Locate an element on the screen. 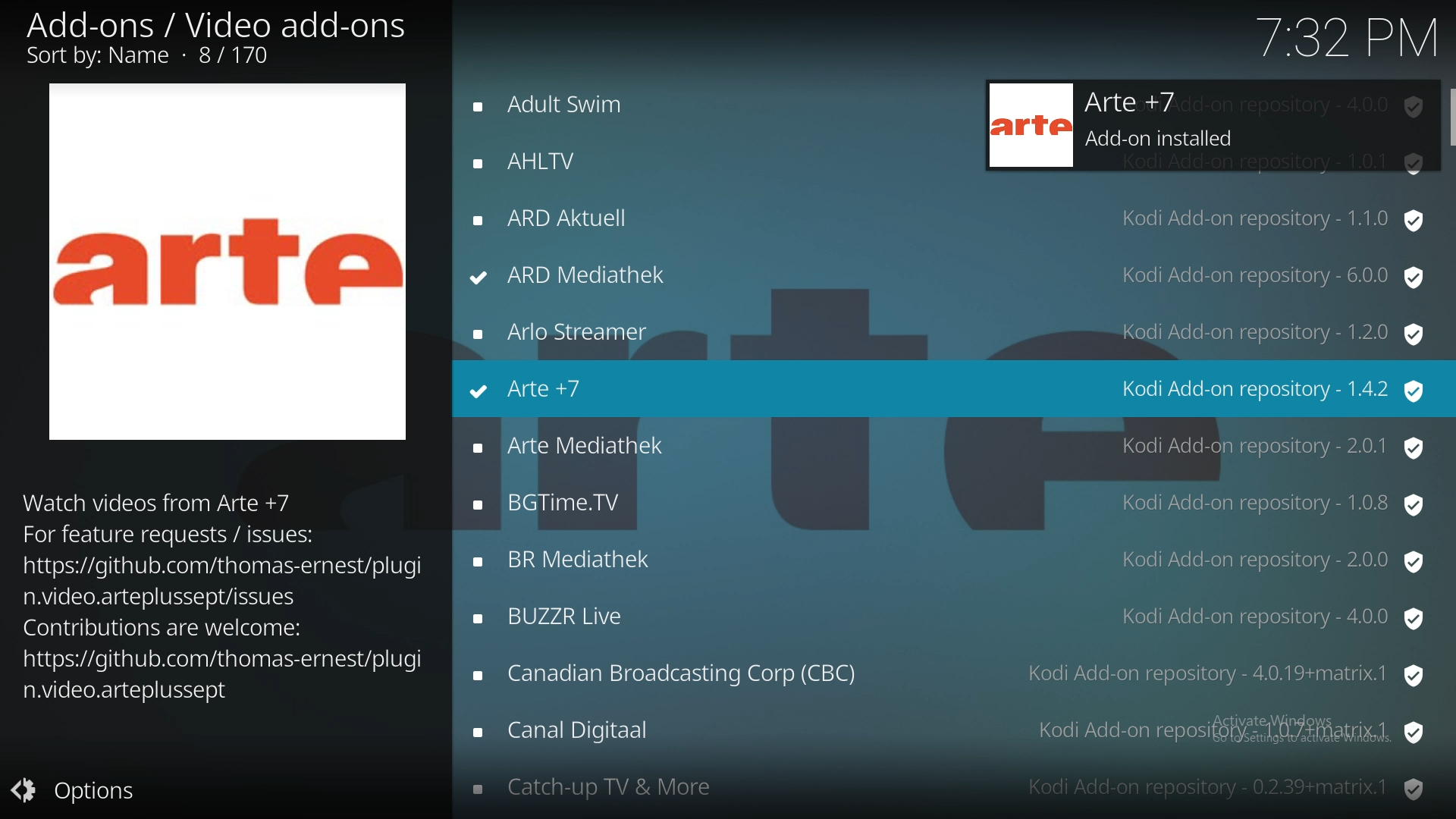  scroll bar is located at coordinates (1447, 111).